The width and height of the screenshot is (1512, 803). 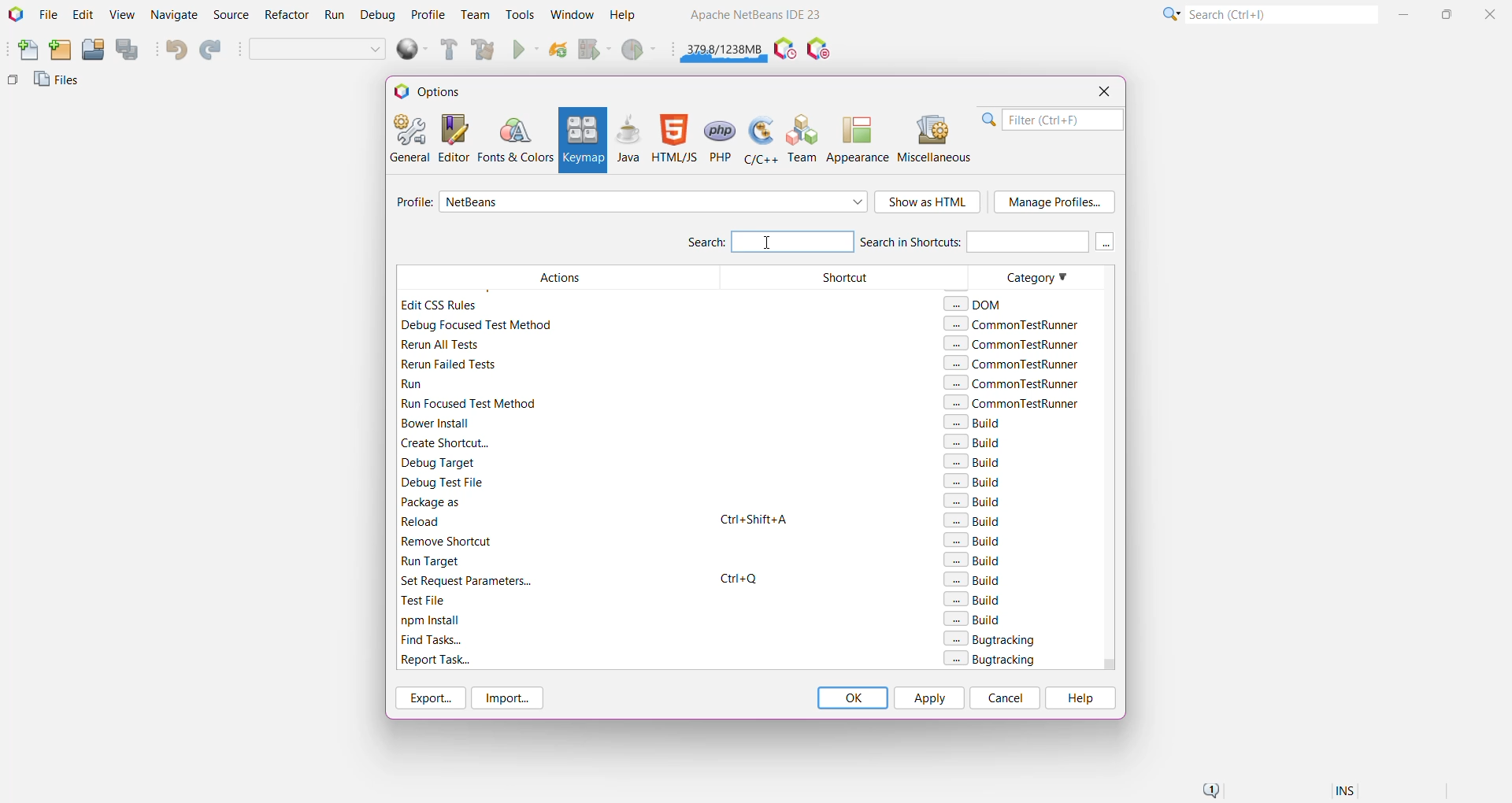 I want to click on Filter, so click(x=1052, y=120).